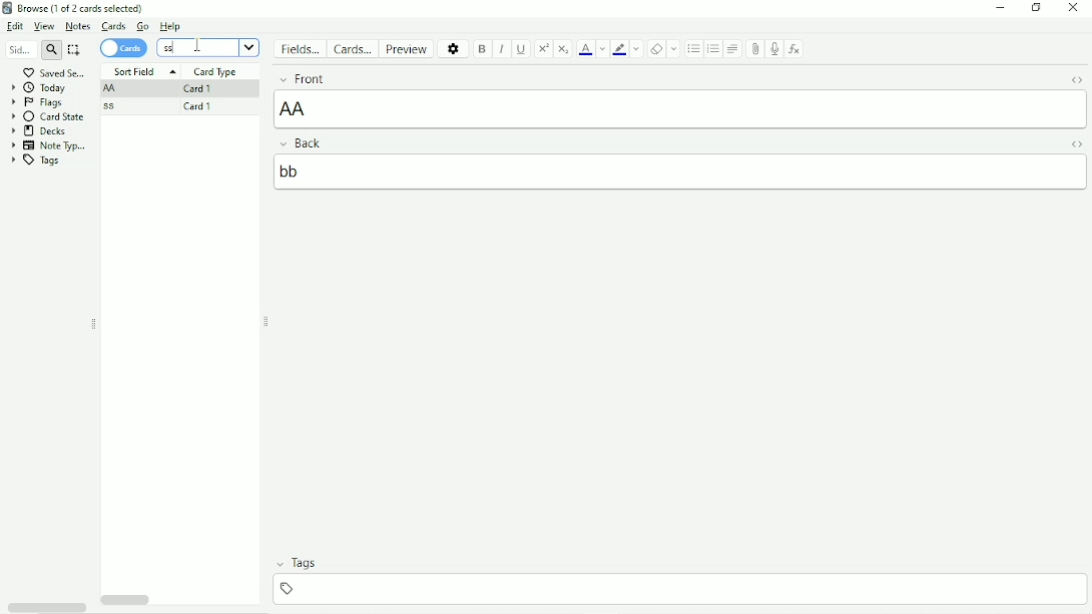 This screenshot has width=1092, height=614. I want to click on Card State, so click(50, 116).